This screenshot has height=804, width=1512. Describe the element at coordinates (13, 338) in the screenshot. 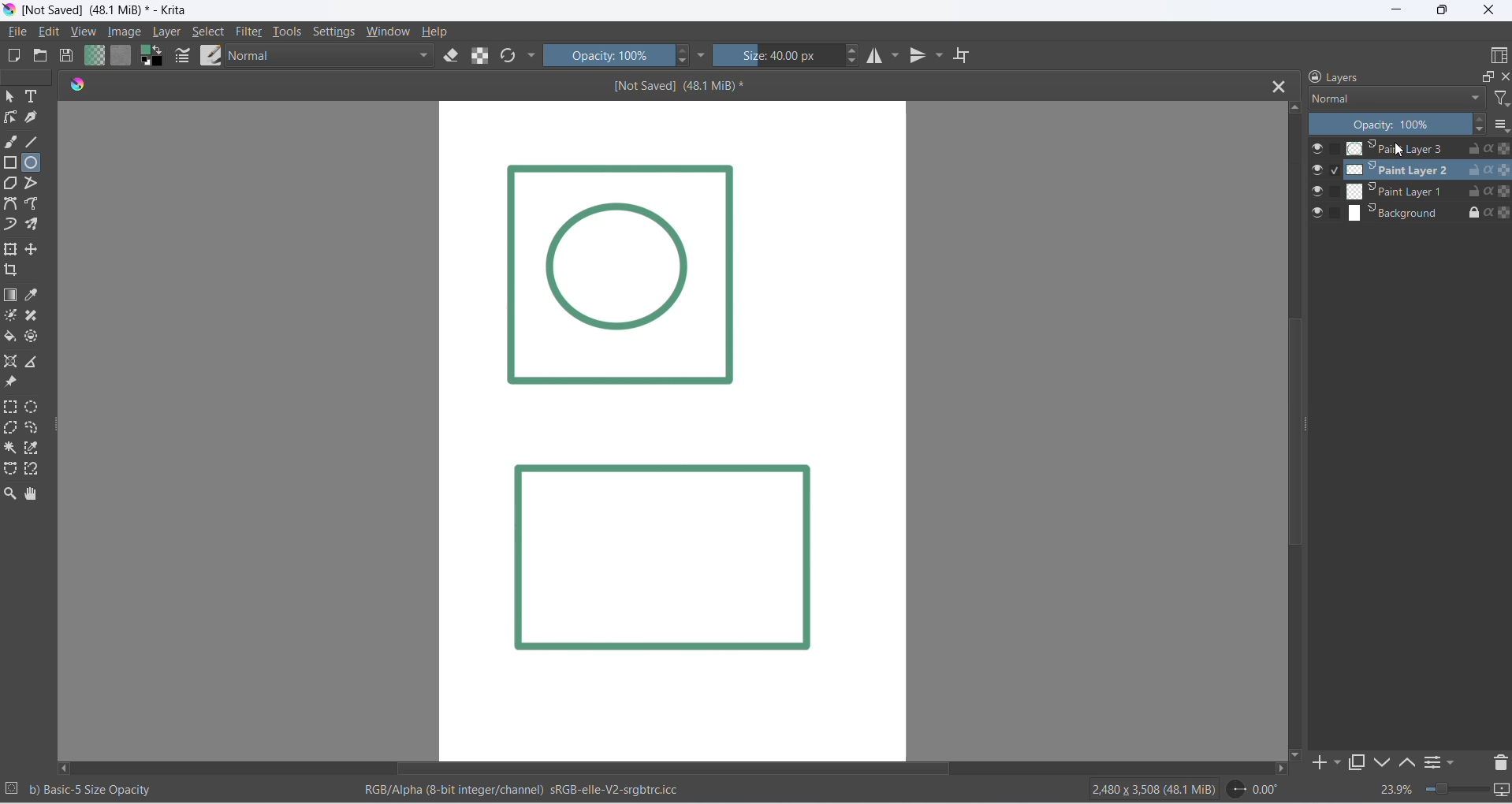

I see `fill color` at that location.